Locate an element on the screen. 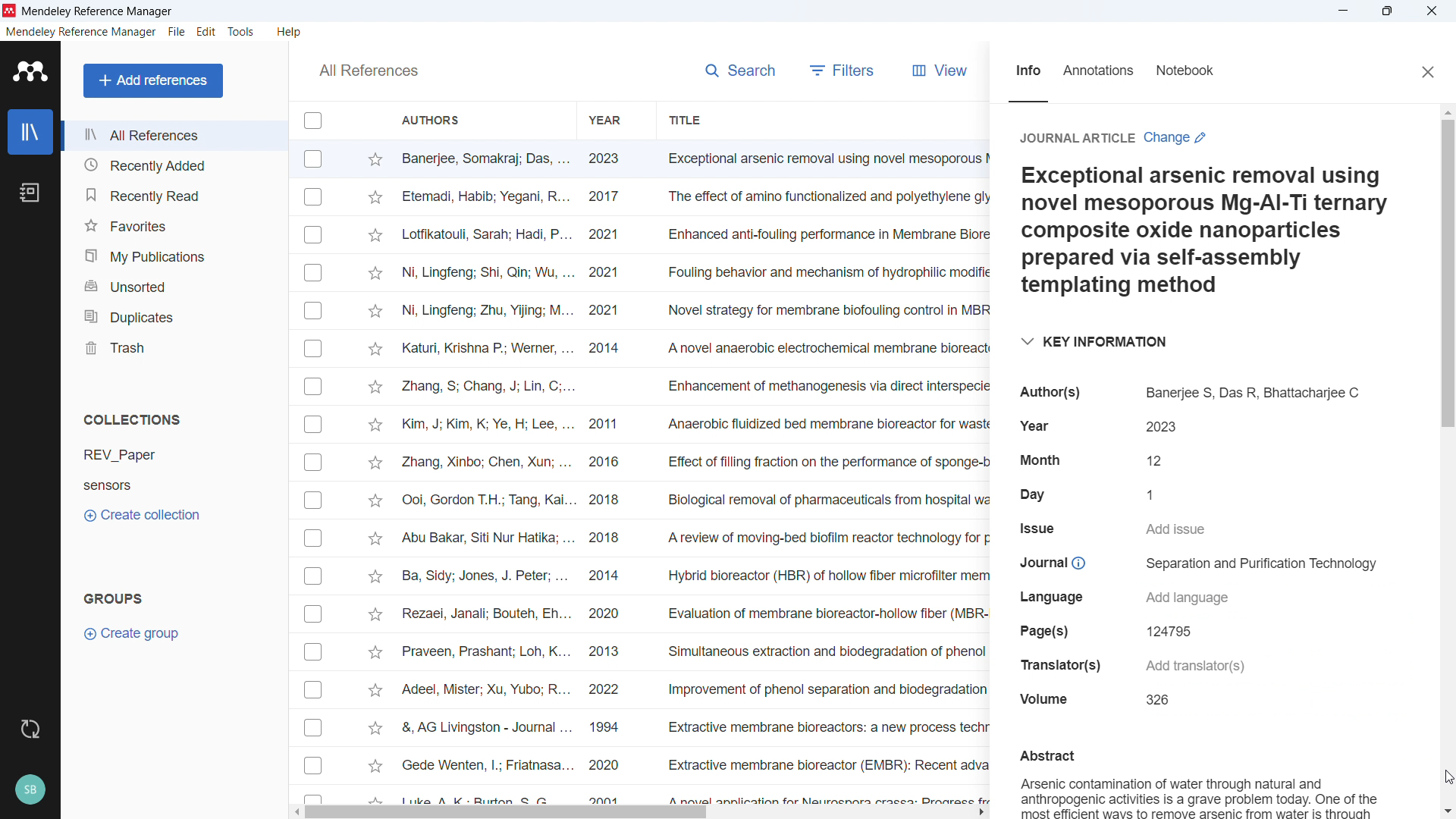 This screenshot has width=1456, height=819. biological removal of pharmaceuticals from hospital wastewater in a pilot-scal is located at coordinates (821, 500).